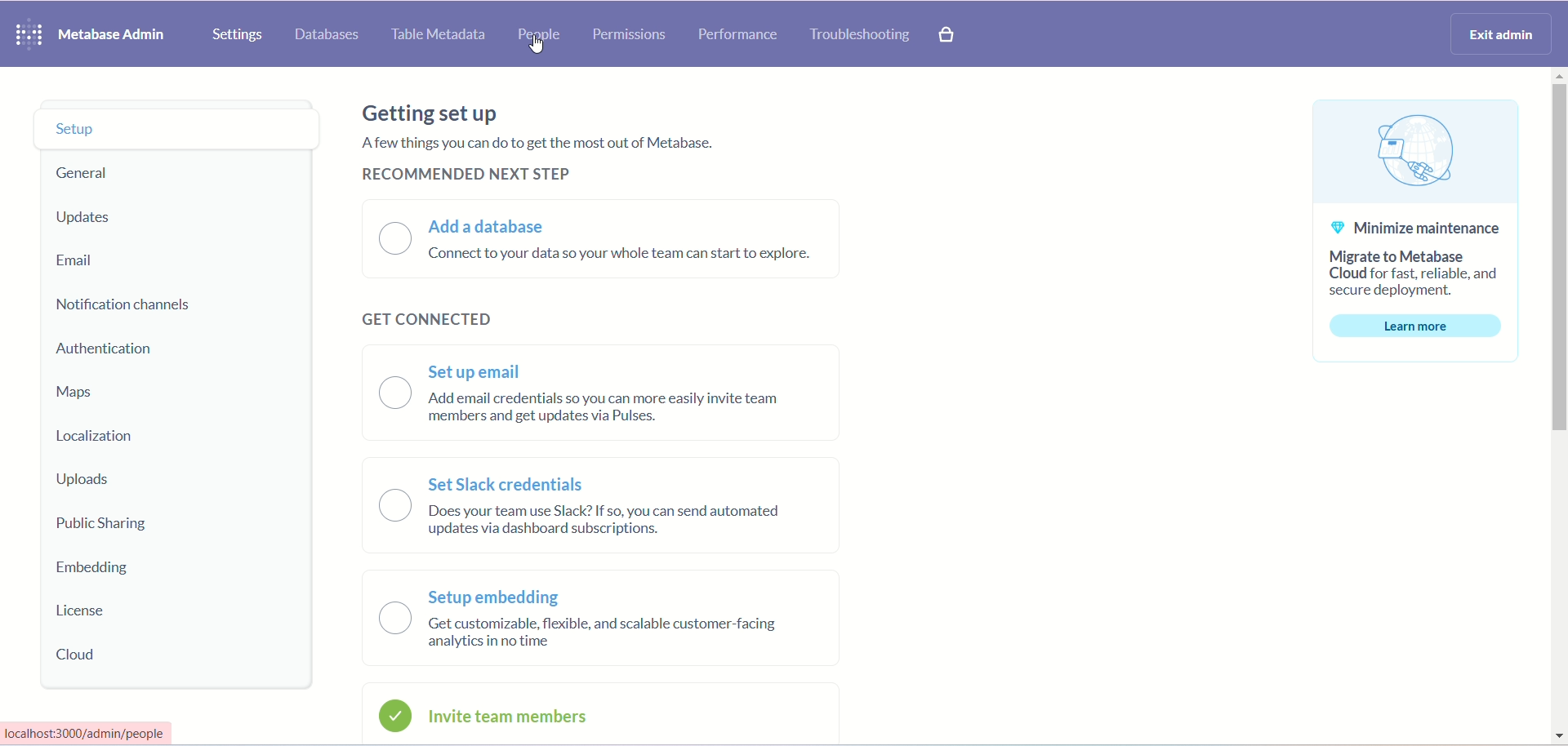  Describe the element at coordinates (29, 33) in the screenshot. I see `logo` at that location.